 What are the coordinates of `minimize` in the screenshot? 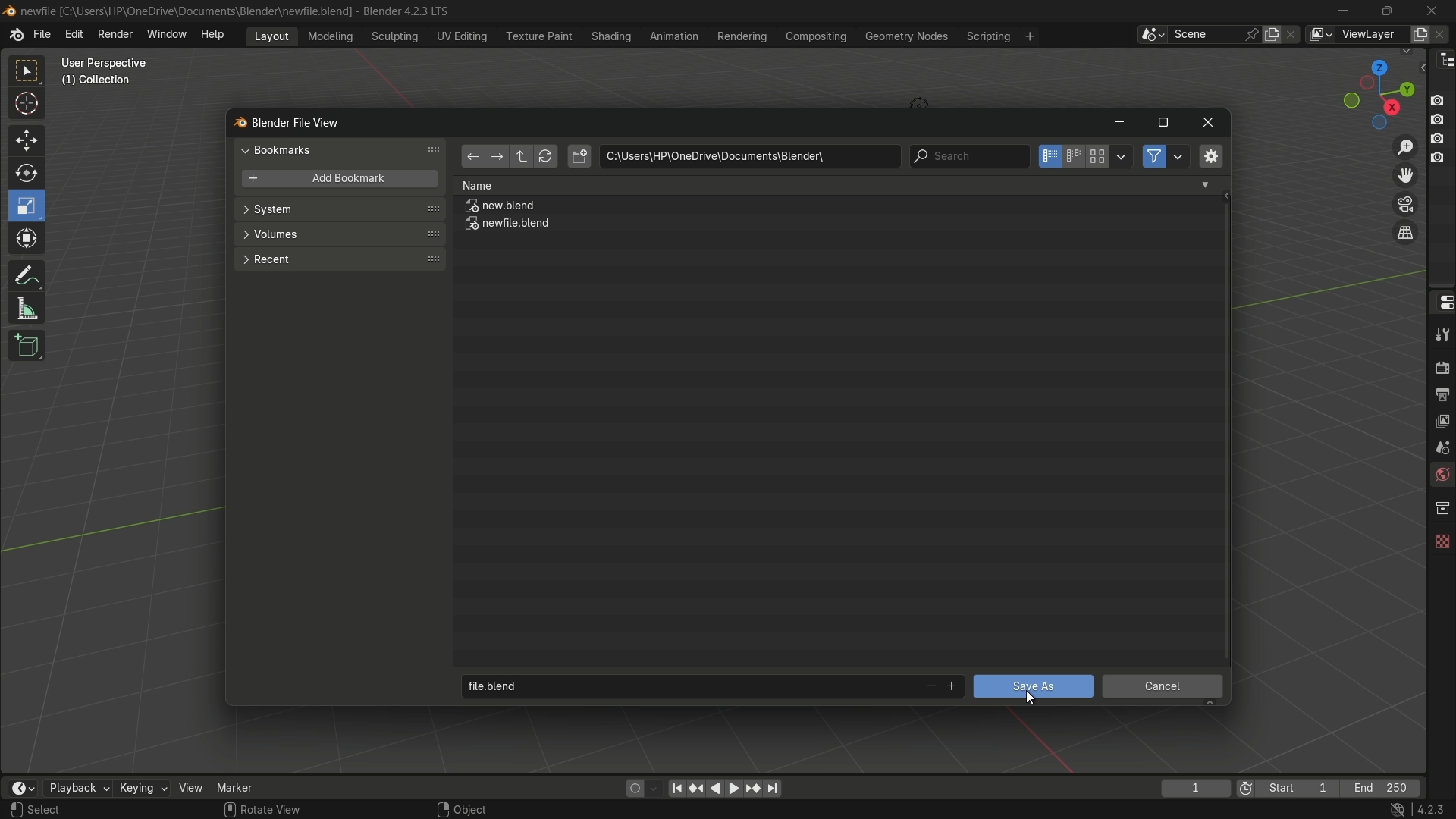 It's located at (1344, 11).